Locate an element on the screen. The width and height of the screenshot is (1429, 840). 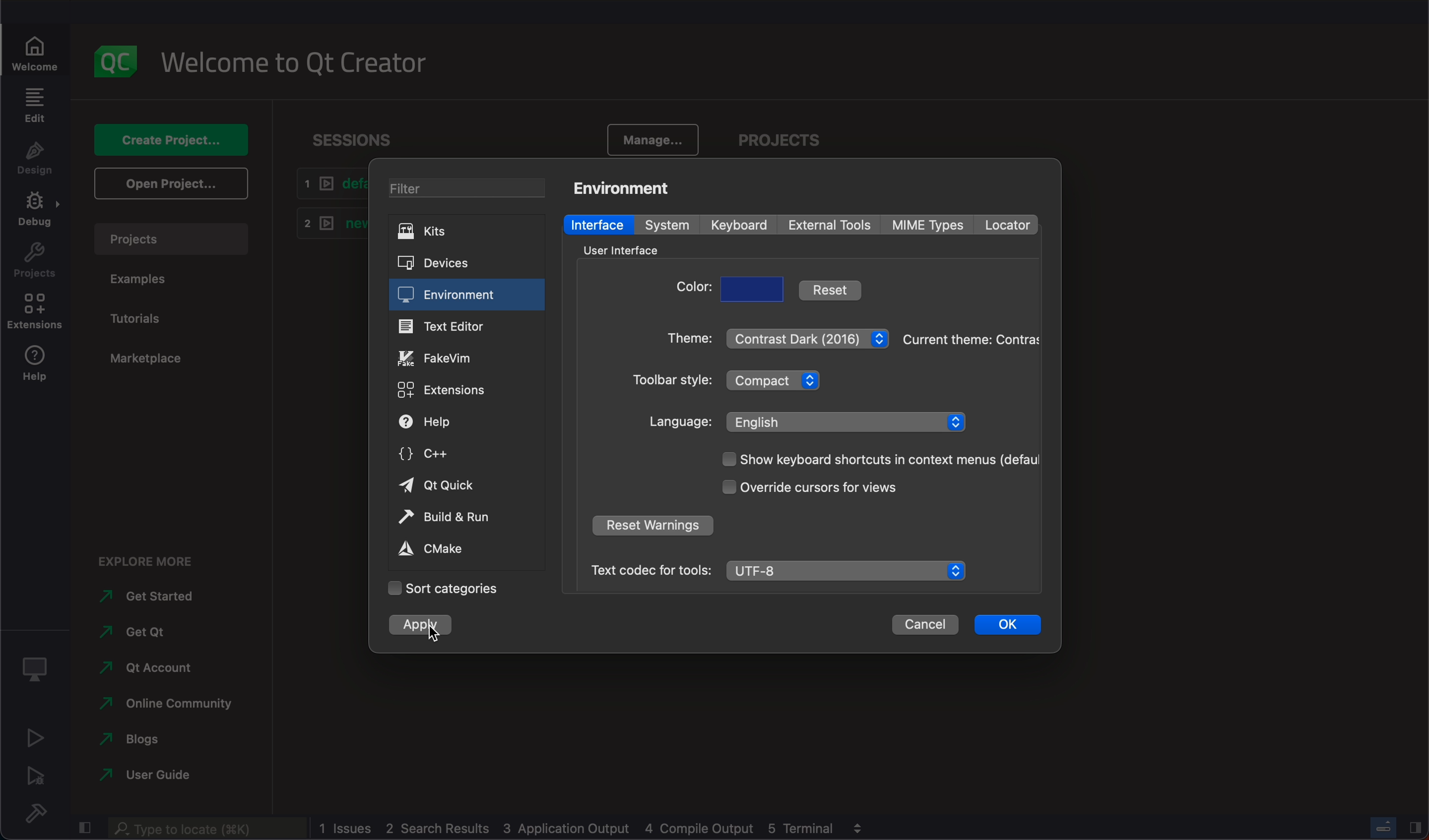
extensions is located at coordinates (467, 389).